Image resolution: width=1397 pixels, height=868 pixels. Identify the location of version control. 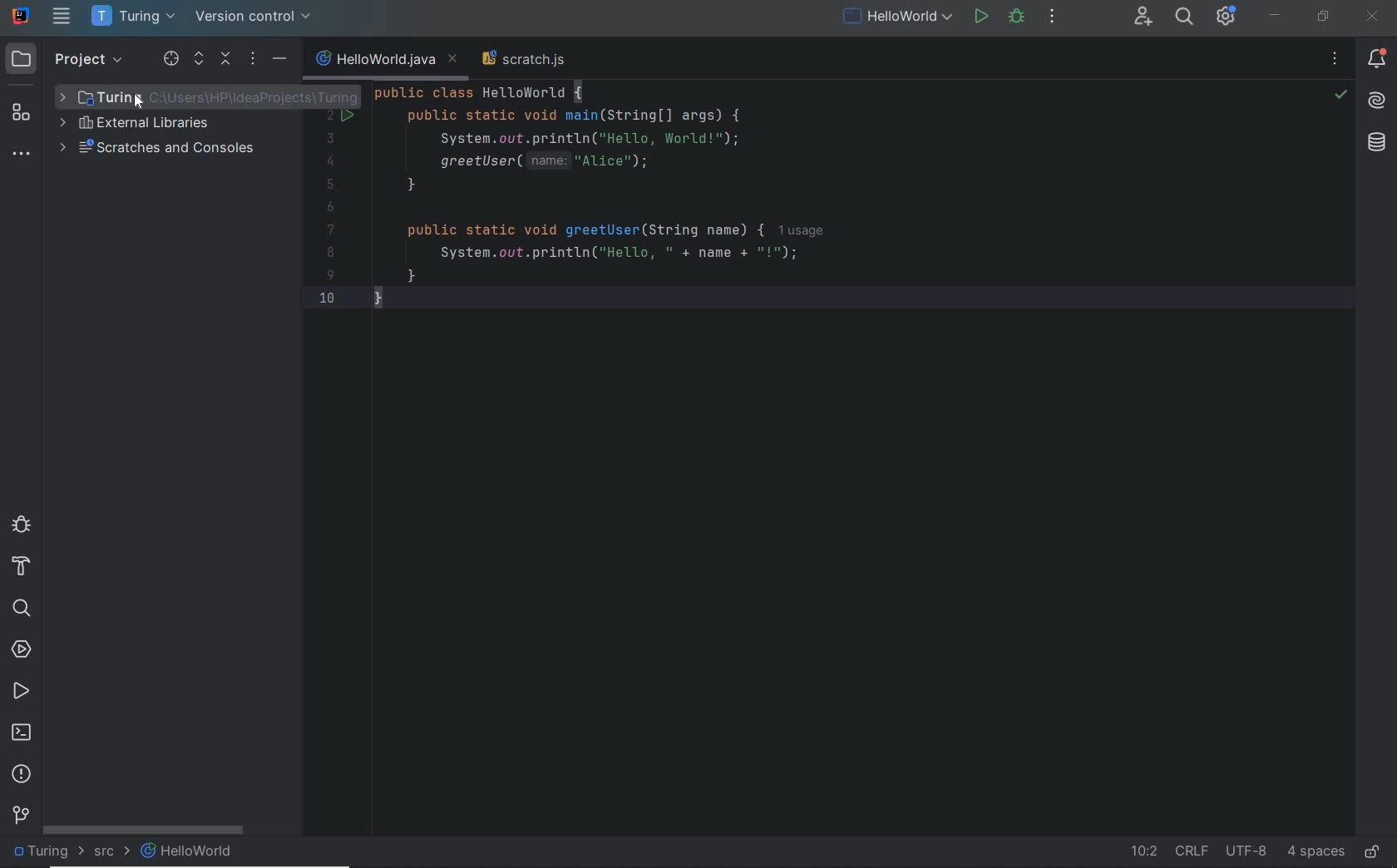
(19, 816).